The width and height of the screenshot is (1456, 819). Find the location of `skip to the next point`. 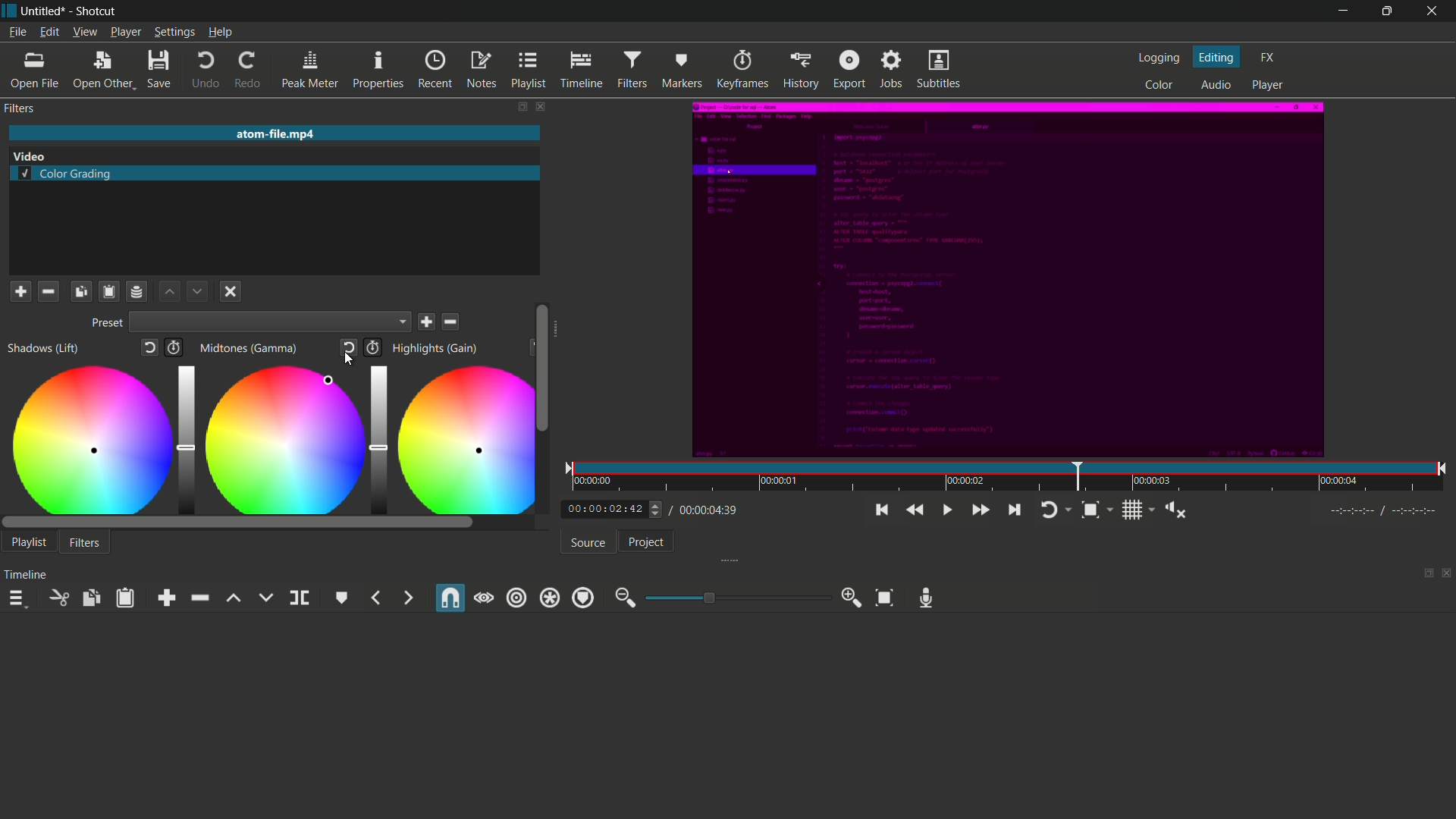

skip to the next point is located at coordinates (1012, 510).